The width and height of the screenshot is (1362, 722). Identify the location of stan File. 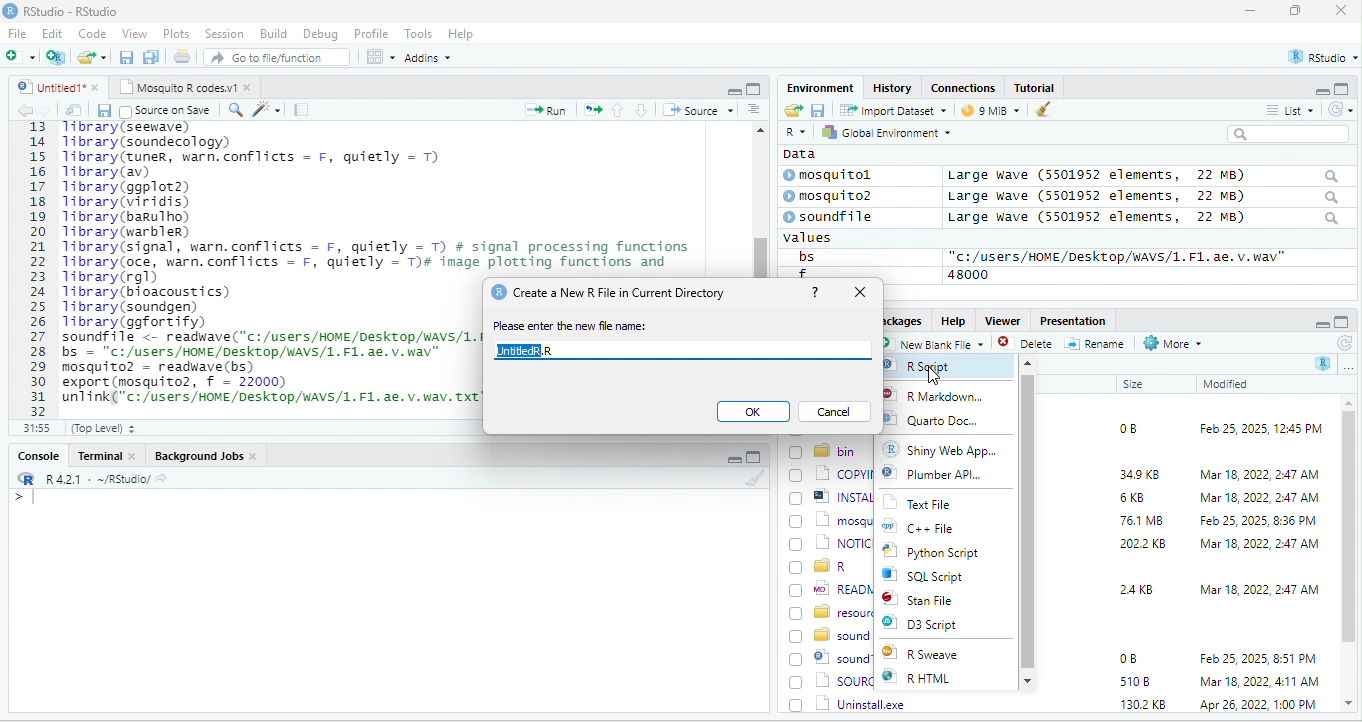
(933, 601).